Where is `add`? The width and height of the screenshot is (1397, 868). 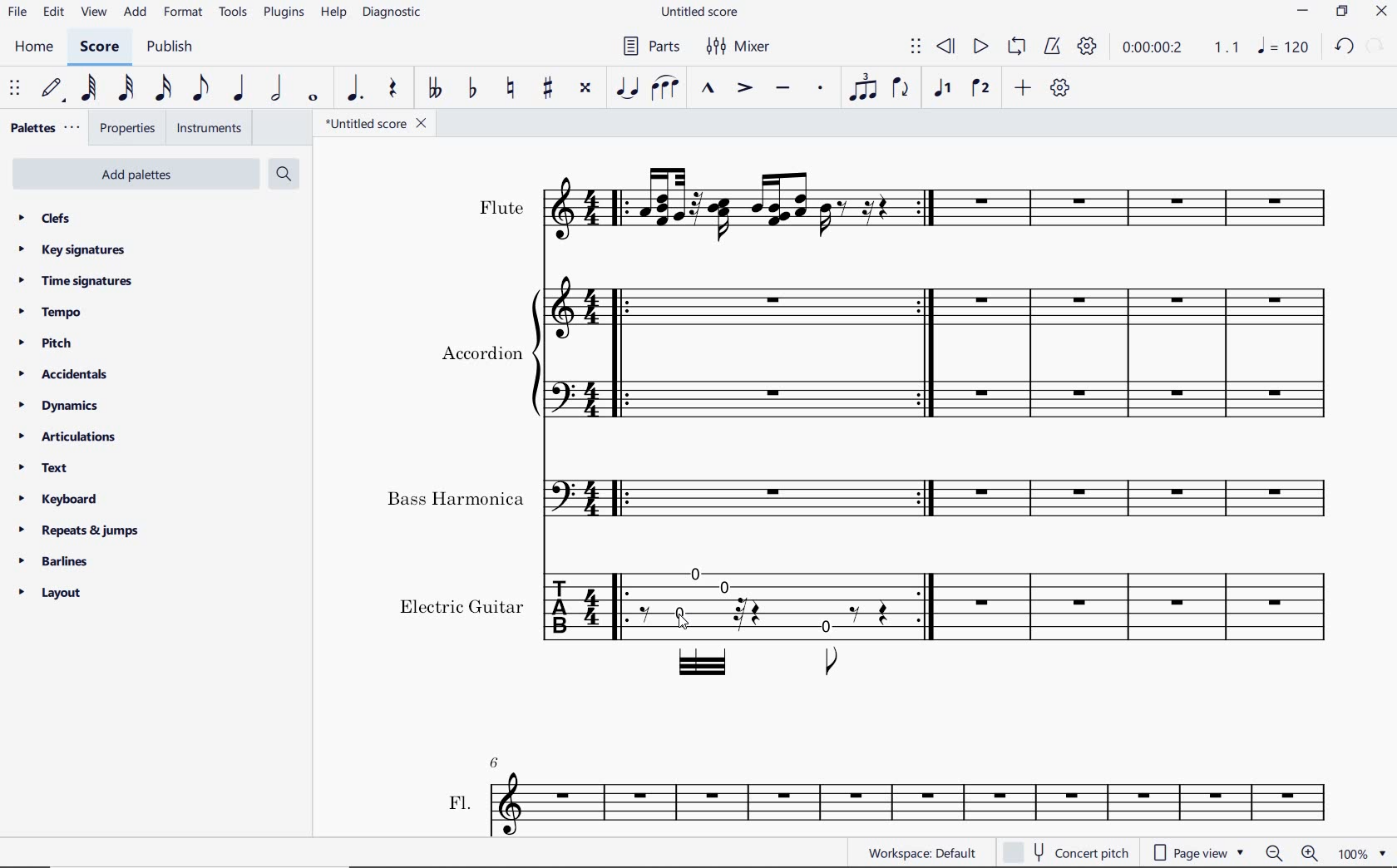 add is located at coordinates (1025, 89).